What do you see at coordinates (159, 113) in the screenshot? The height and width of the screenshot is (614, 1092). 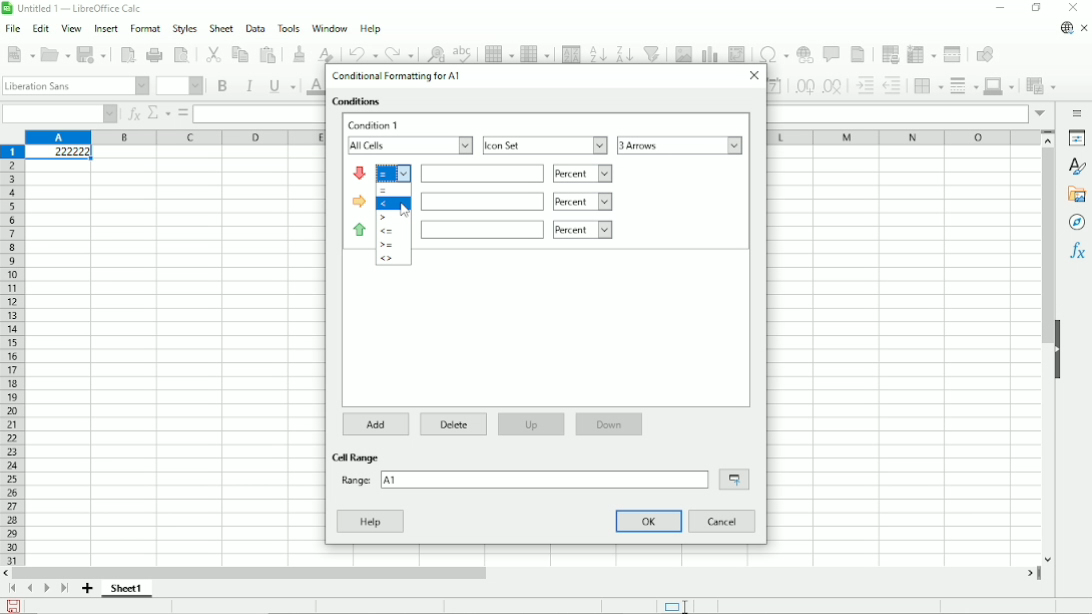 I see `Select function` at bounding box center [159, 113].